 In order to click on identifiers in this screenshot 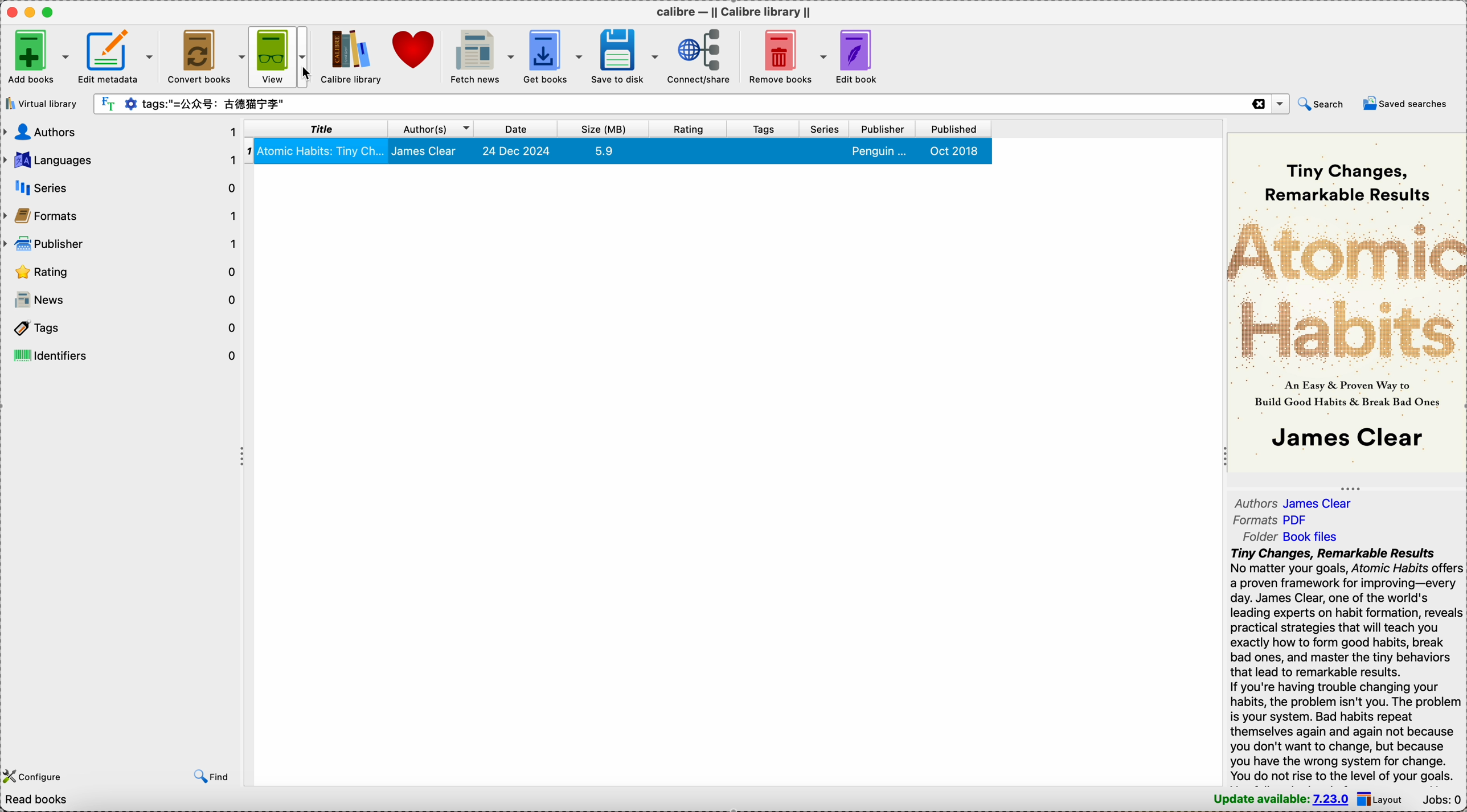, I will do `click(121, 355)`.